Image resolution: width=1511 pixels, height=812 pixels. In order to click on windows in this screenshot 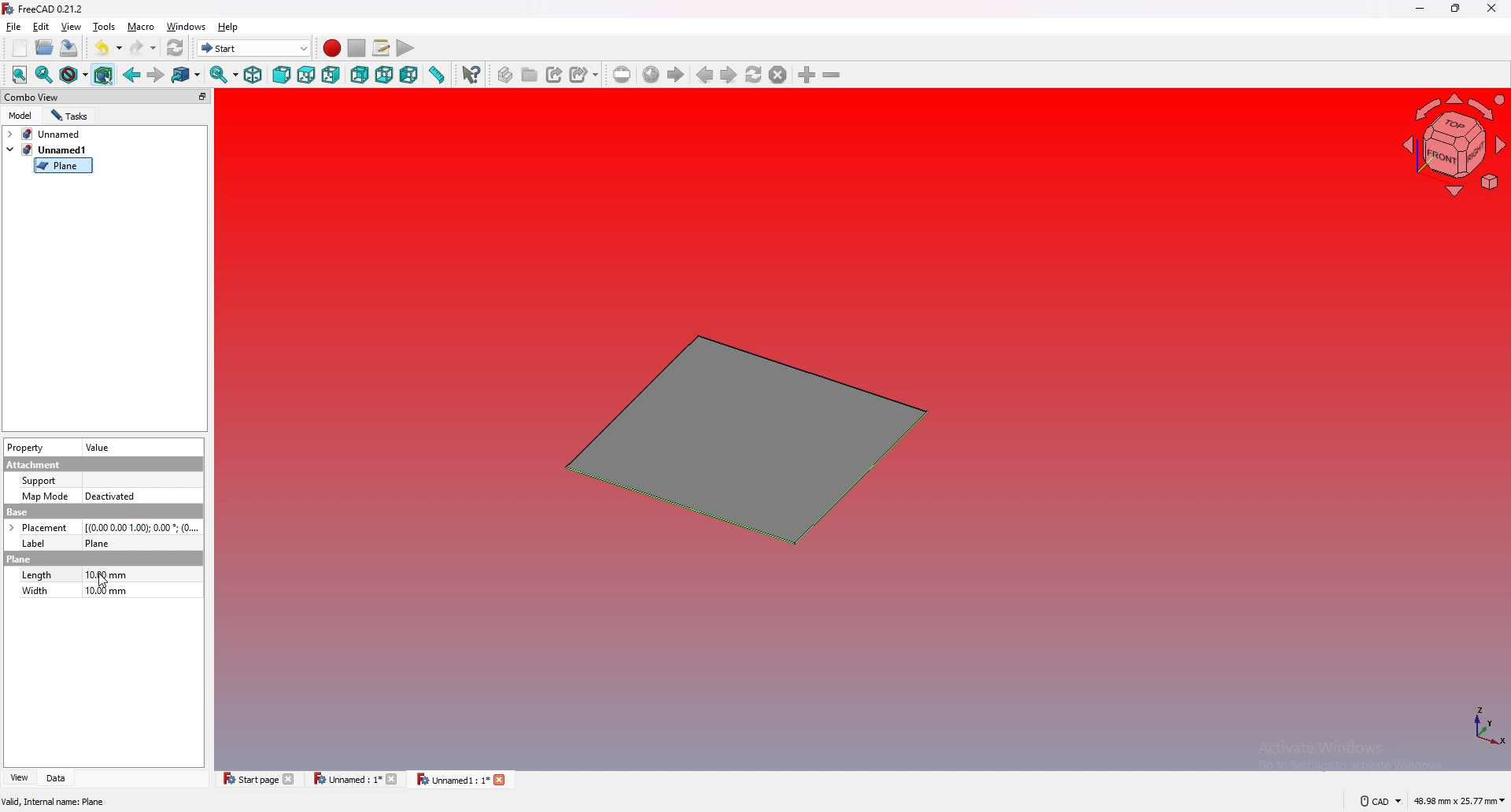, I will do `click(187, 26)`.